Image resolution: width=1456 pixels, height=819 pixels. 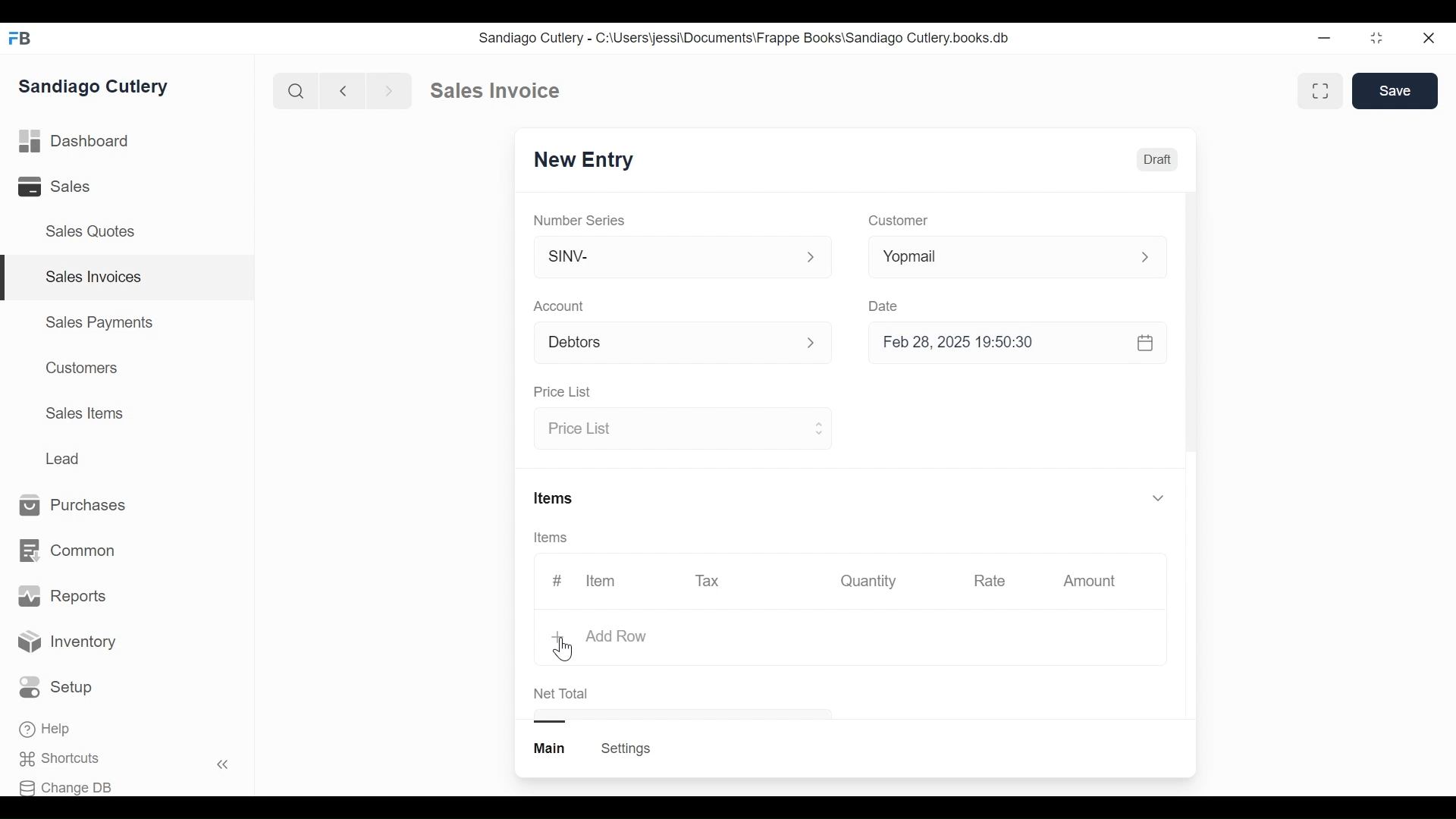 What do you see at coordinates (344, 90) in the screenshot?
I see `backward` at bounding box center [344, 90].